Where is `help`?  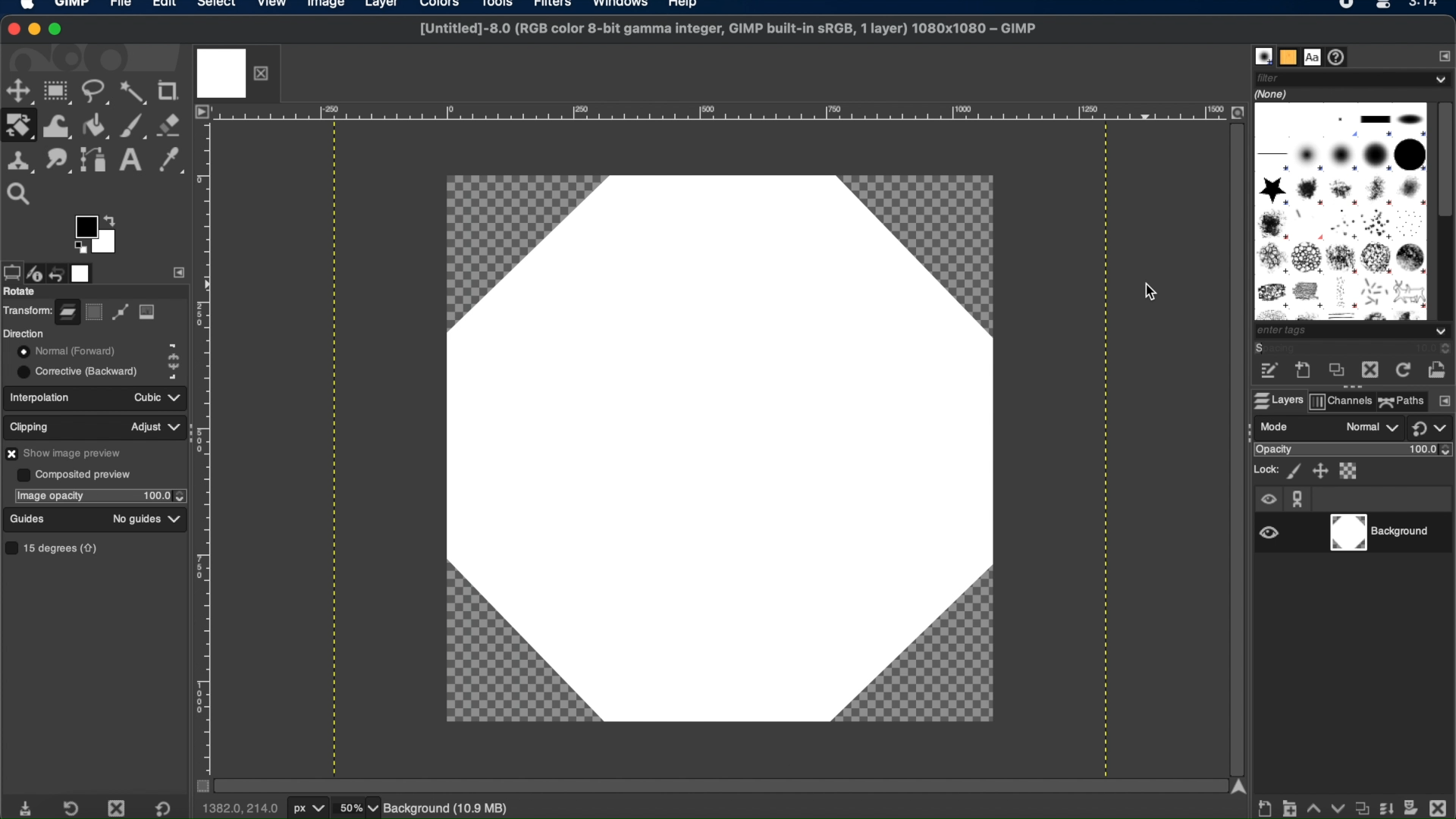
help is located at coordinates (684, 6).